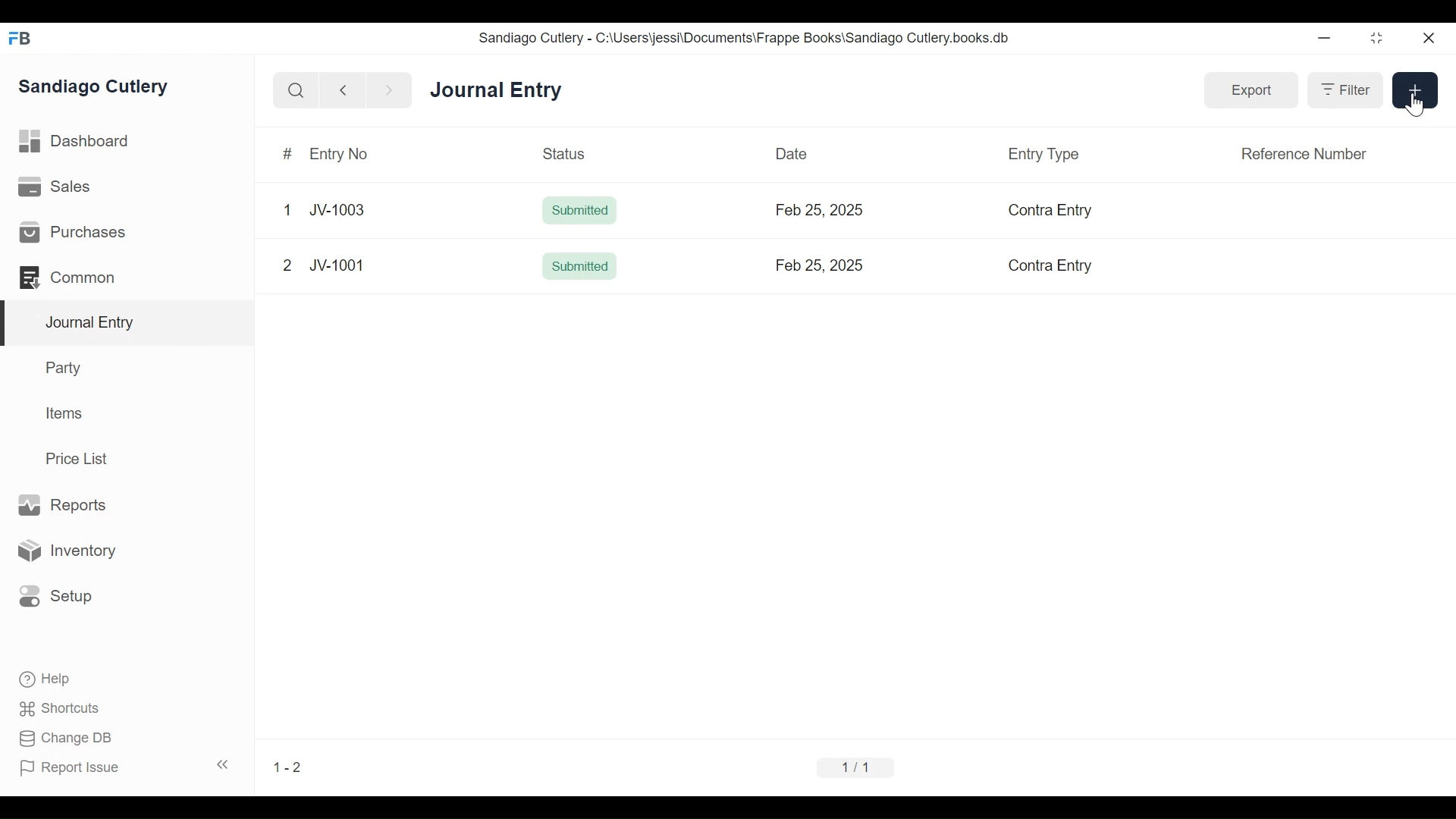  Describe the element at coordinates (565, 152) in the screenshot. I see `Status` at that location.